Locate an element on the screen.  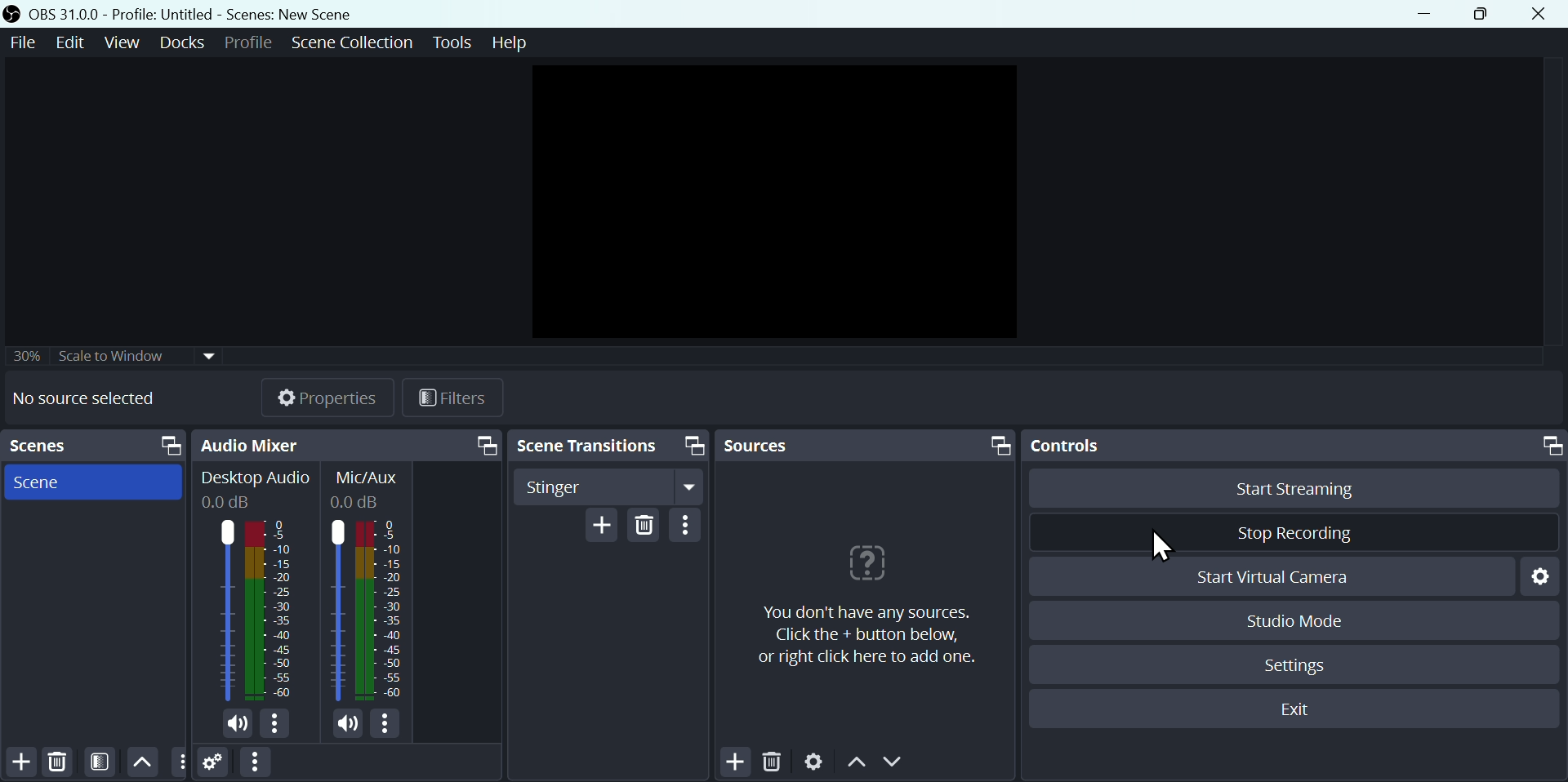
maximize is located at coordinates (170, 445).